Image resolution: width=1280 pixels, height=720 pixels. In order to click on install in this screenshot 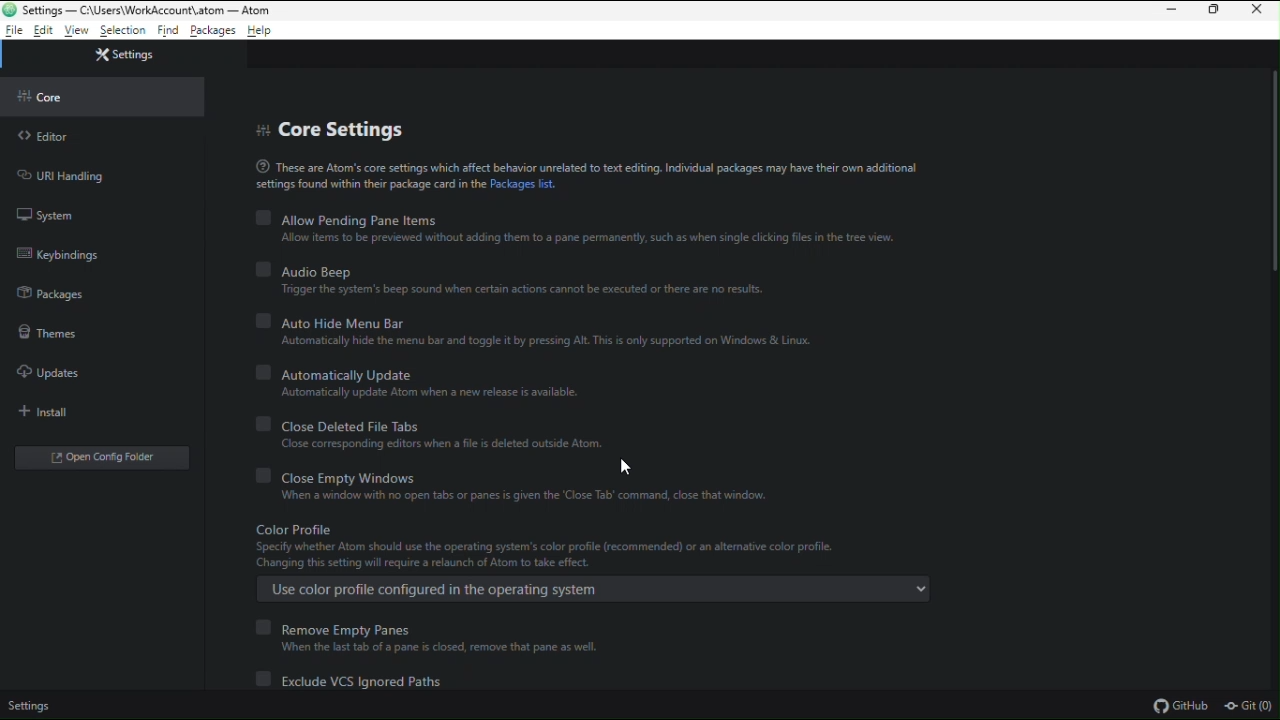, I will do `click(50, 413)`.